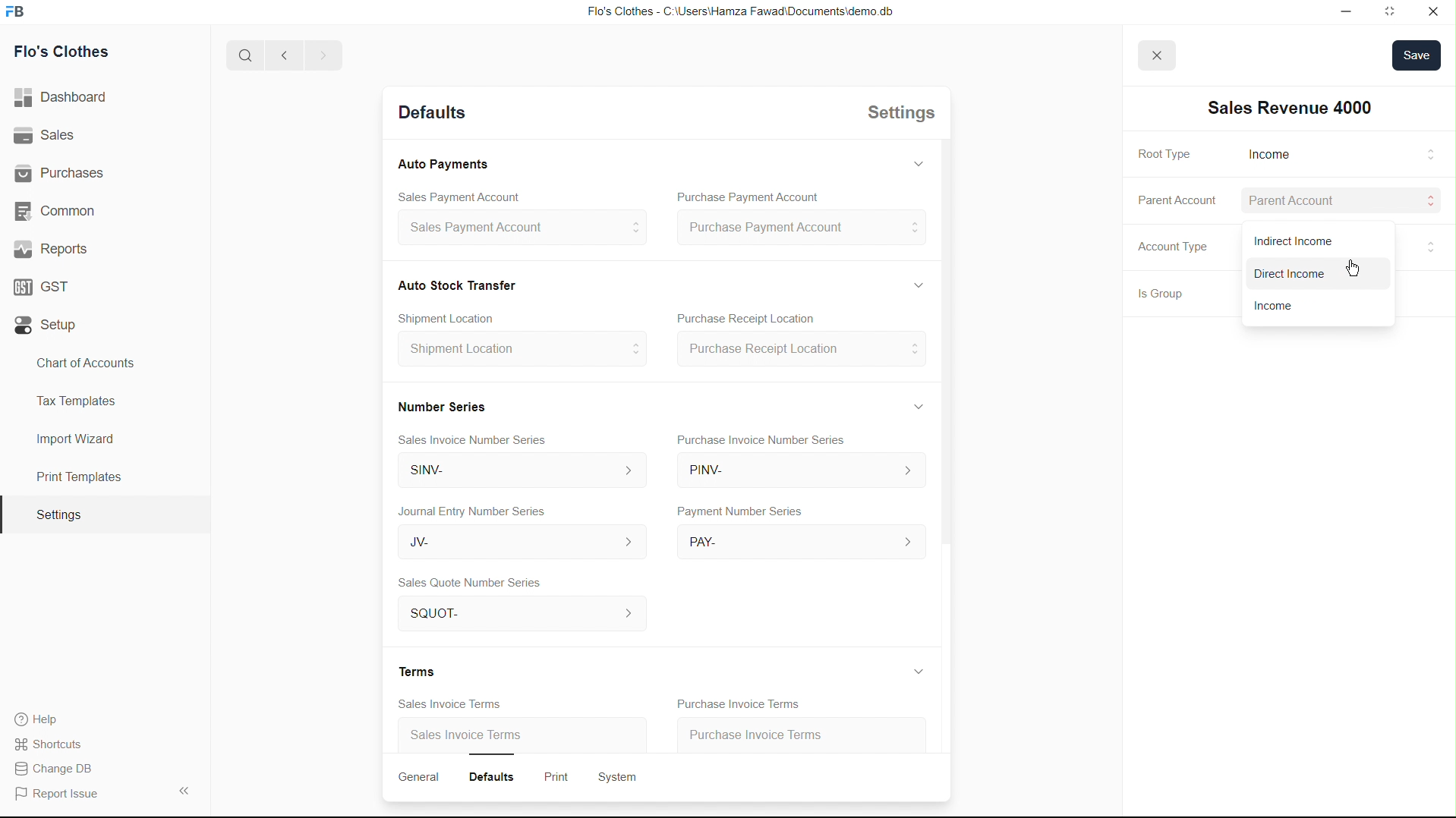 This screenshot has width=1456, height=818. I want to click on Defaults, so click(498, 775).